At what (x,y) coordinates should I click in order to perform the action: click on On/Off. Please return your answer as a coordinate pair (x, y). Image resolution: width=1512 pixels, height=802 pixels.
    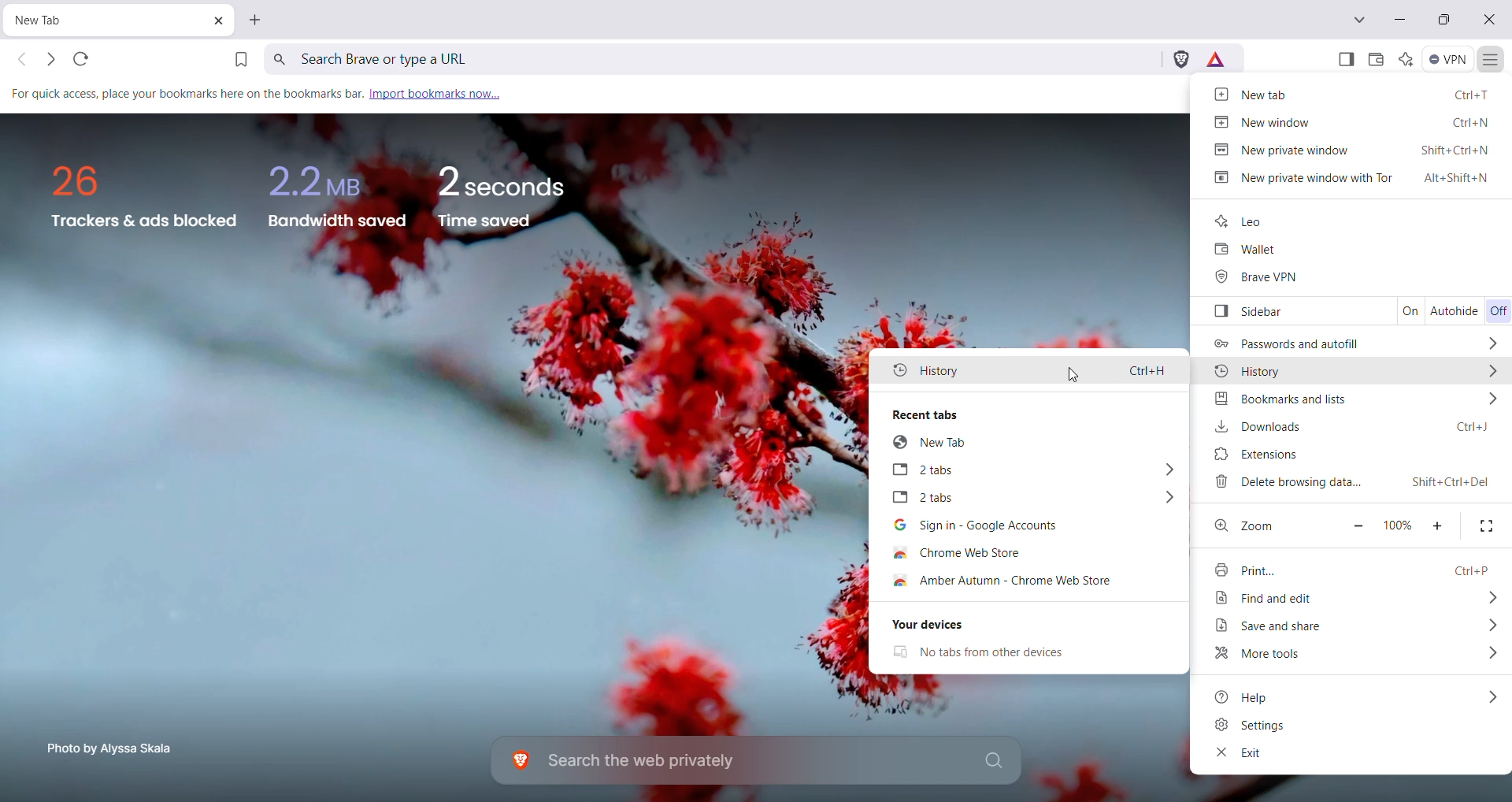
    Looking at the image, I should click on (1498, 310).